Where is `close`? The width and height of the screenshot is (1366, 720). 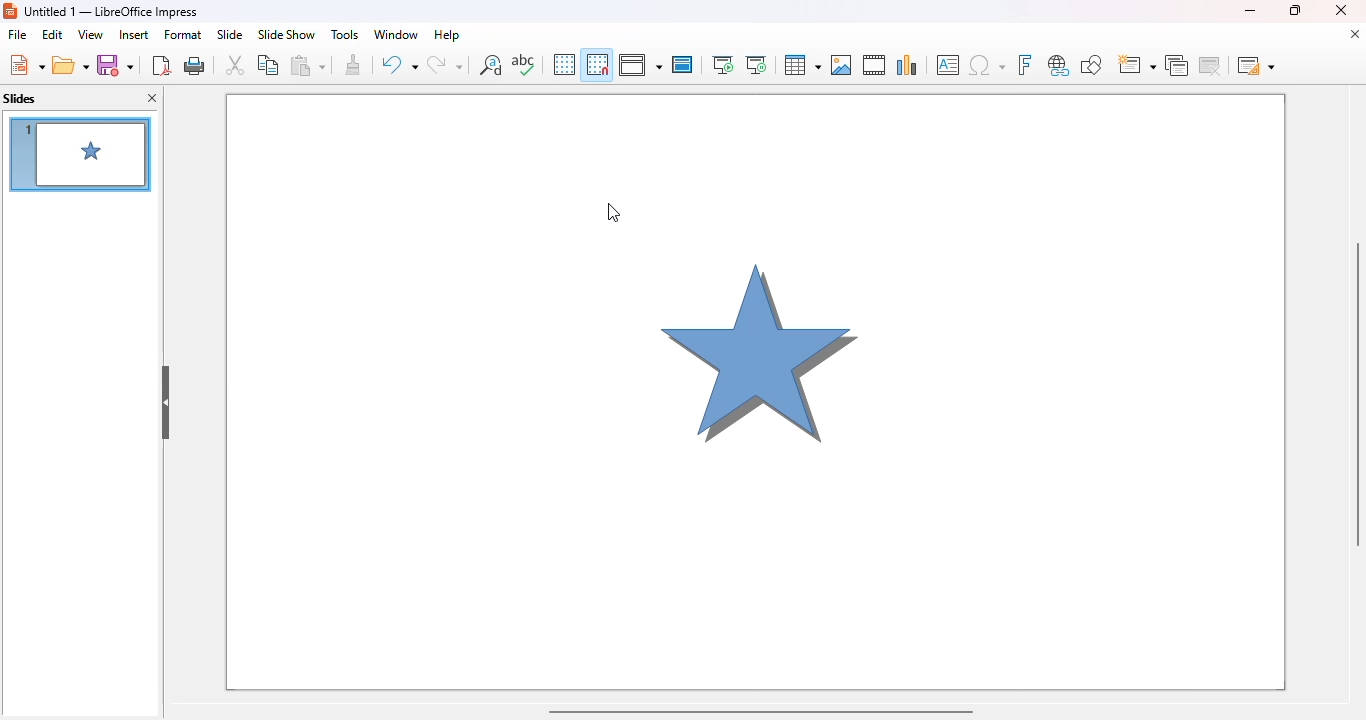 close is located at coordinates (1341, 10).